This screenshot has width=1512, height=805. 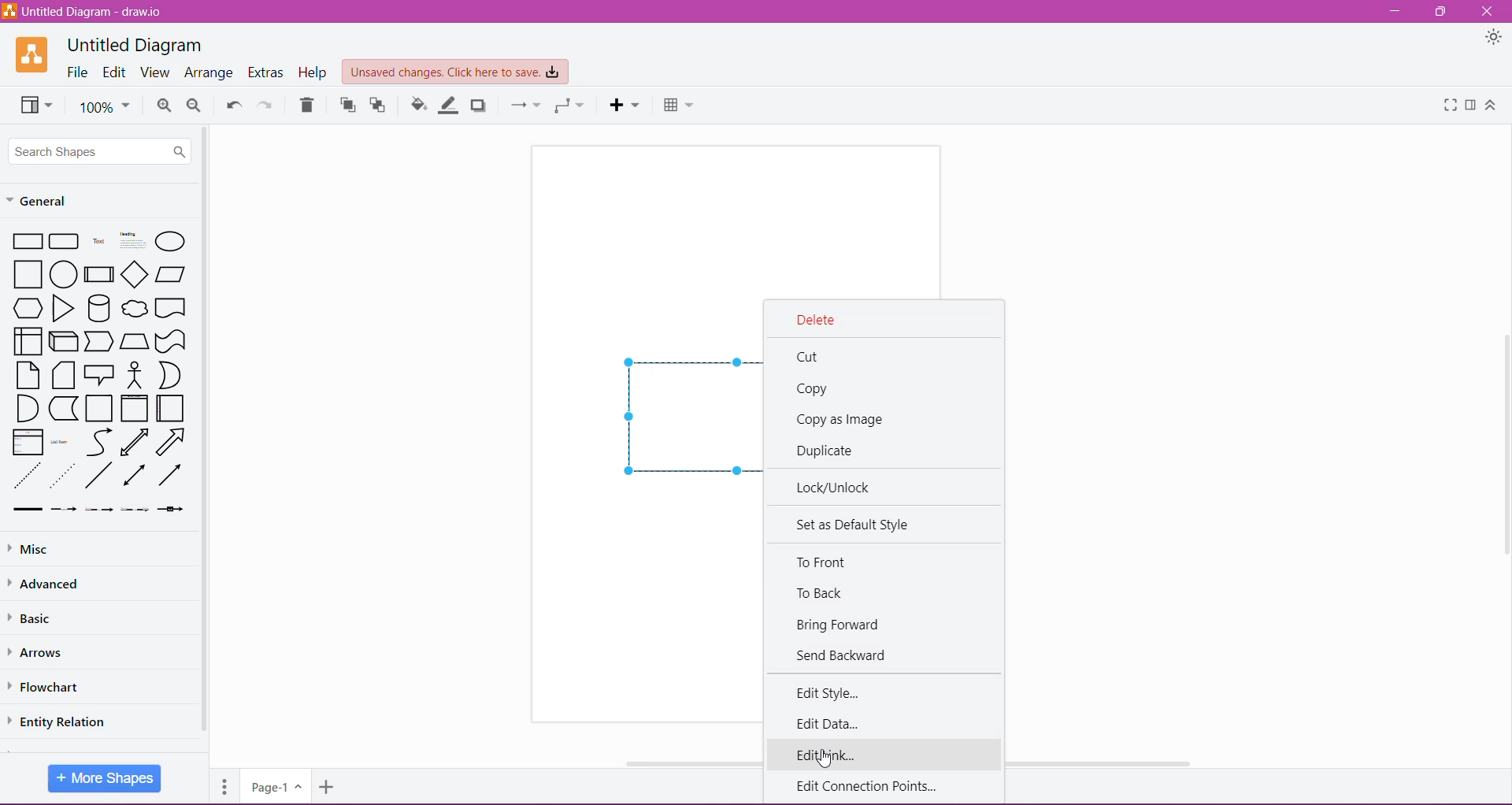 I want to click on Line Color, so click(x=450, y=106).